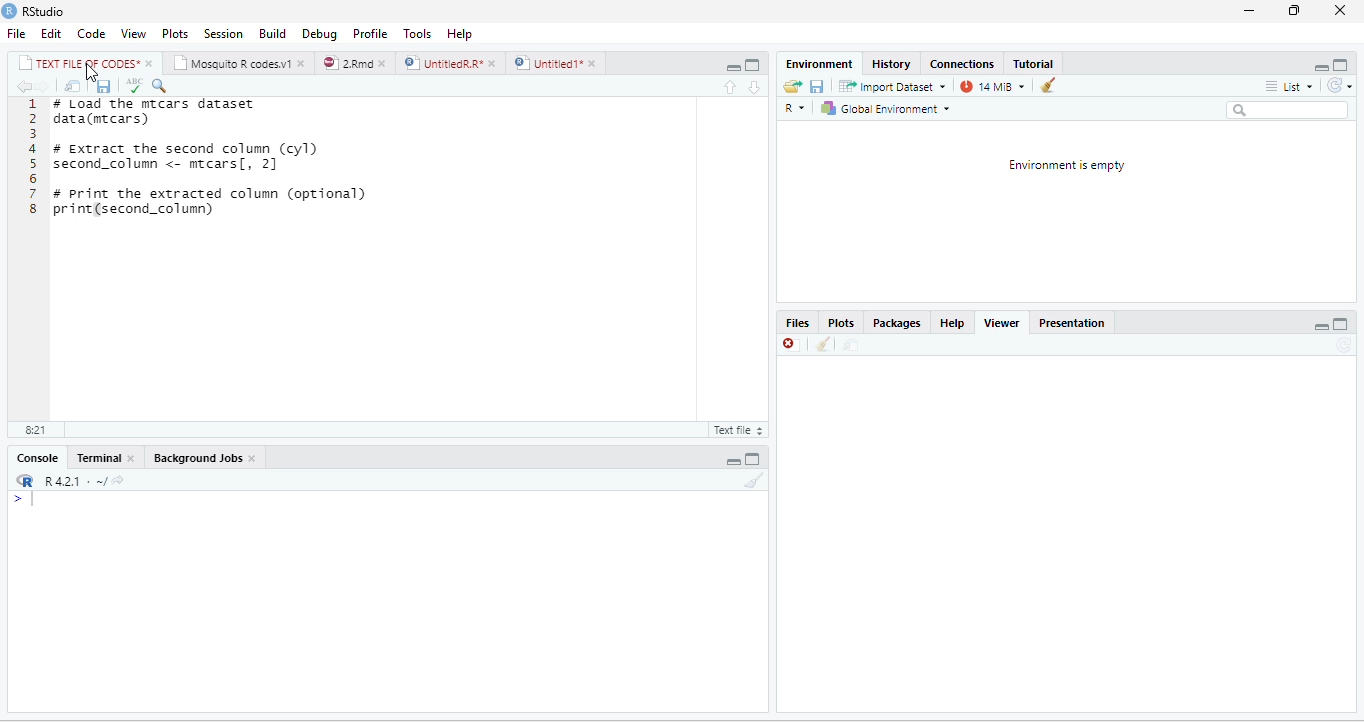 The width and height of the screenshot is (1364, 722). I want to click on move, so click(848, 346).